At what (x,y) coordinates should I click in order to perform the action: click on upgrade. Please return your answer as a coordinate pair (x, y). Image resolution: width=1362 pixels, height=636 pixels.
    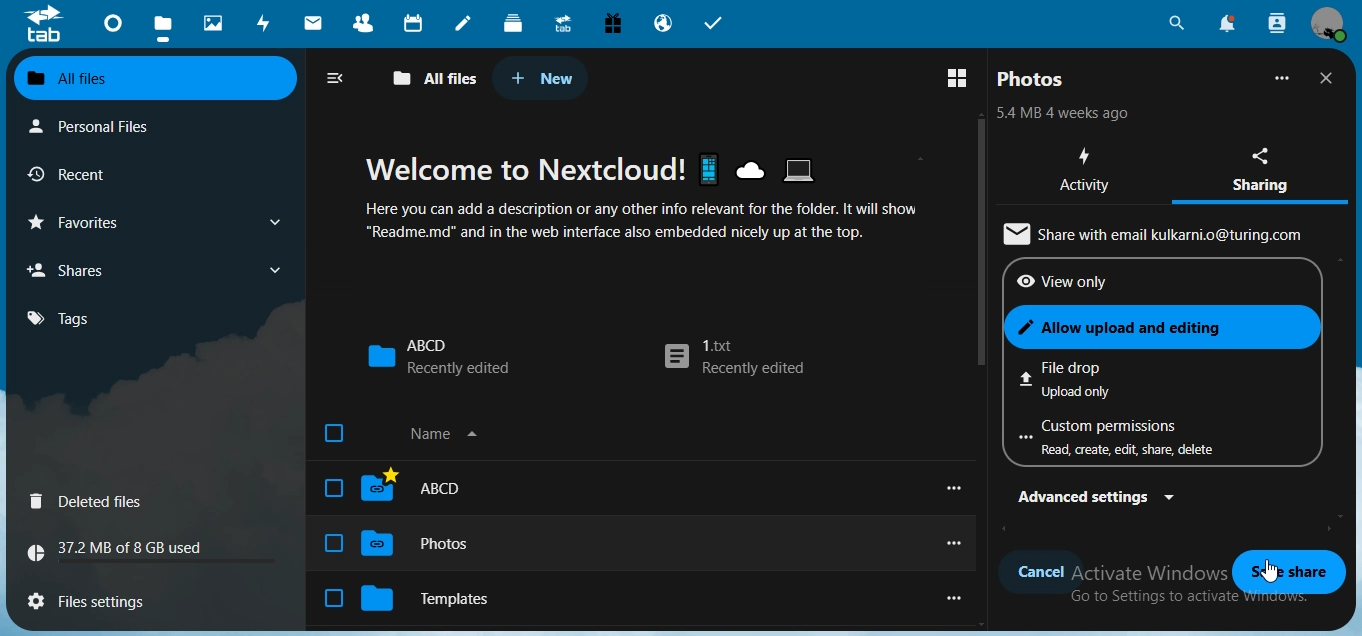
    Looking at the image, I should click on (567, 26).